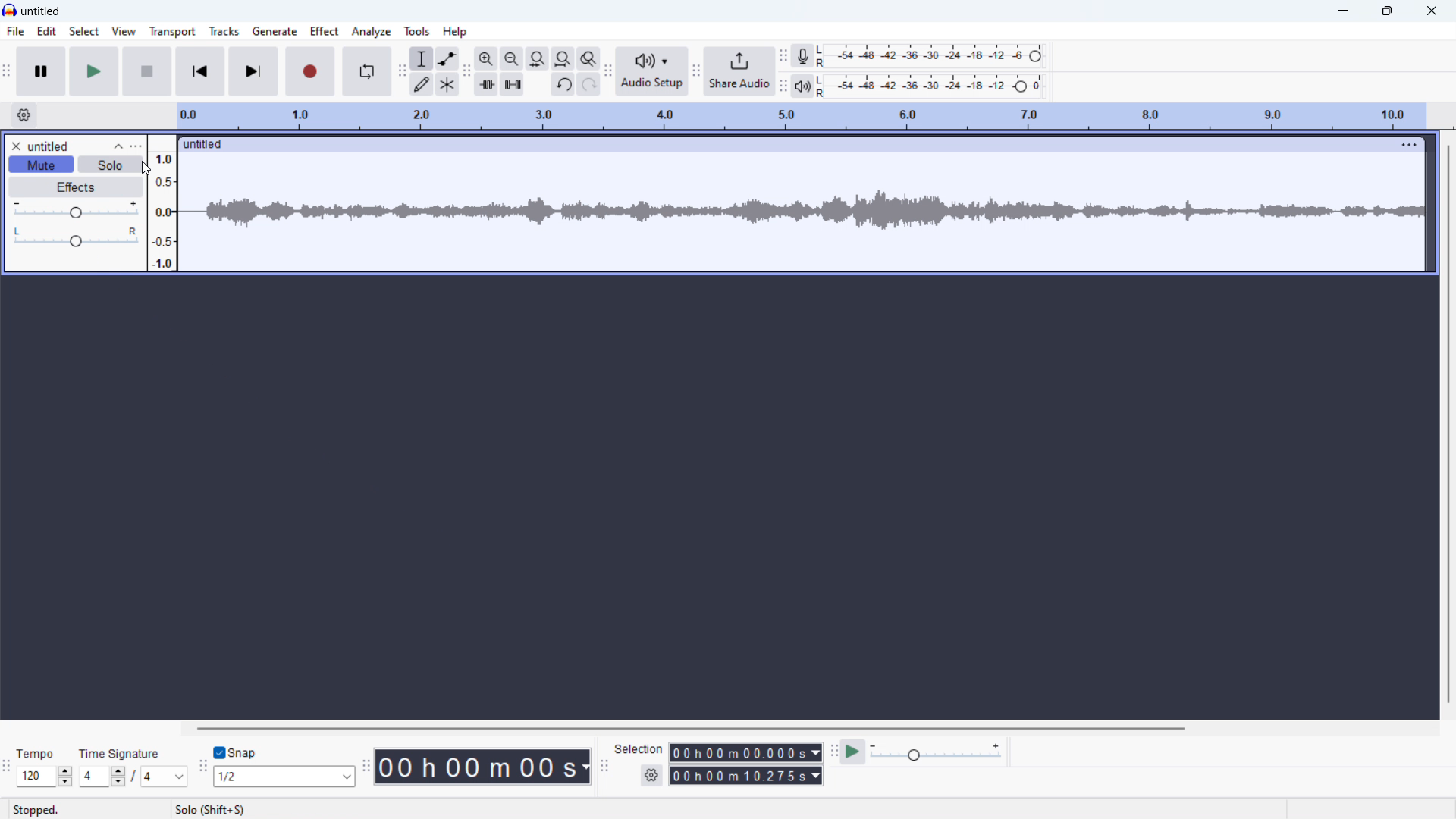 The width and height of the screenshot is (1456, 819). Describe the element at coordinates (486, 84) in the screenshot. I see `trim audio outsside selction` at that location.